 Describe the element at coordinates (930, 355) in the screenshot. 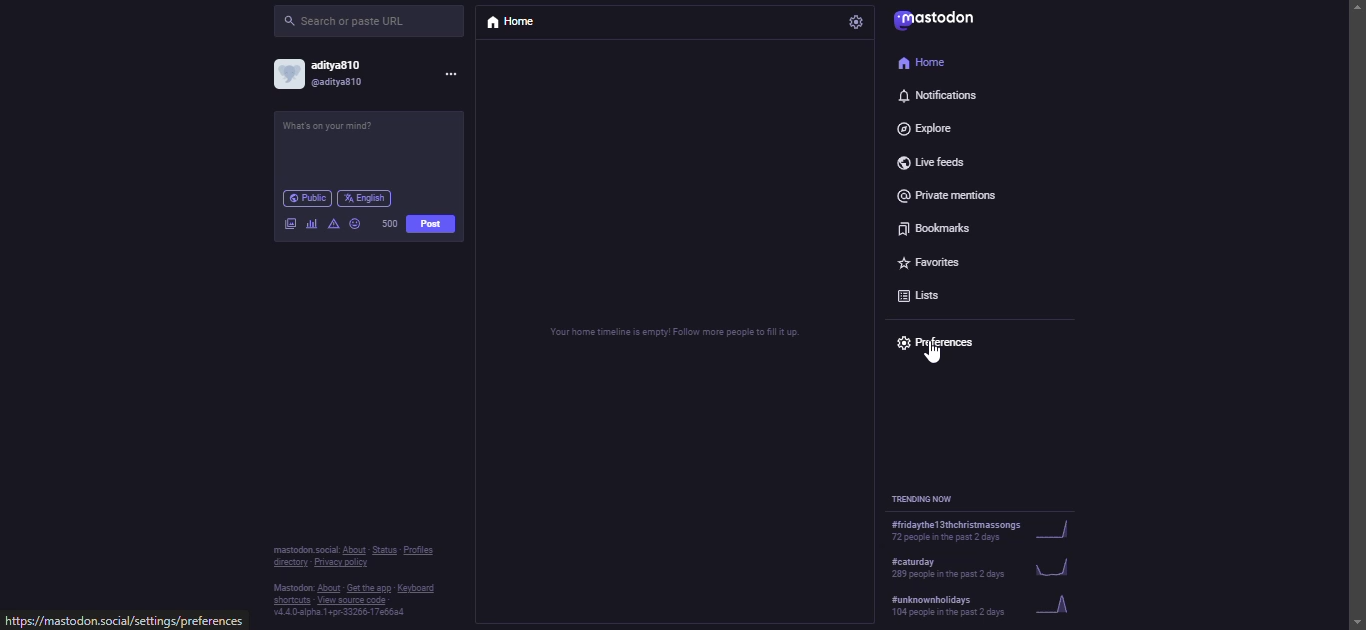

I see `cursor` at that location.